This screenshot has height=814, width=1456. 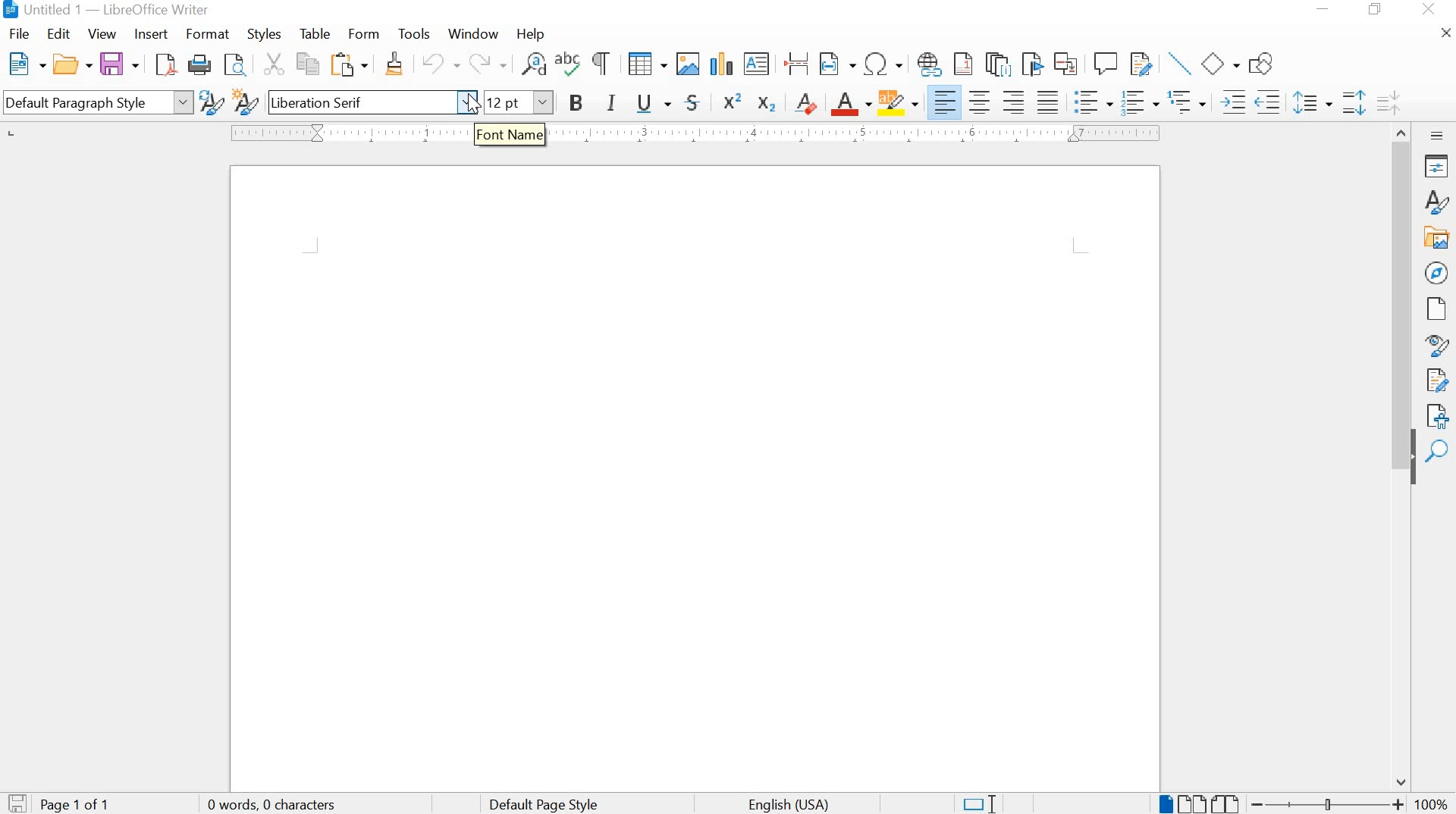 What do you see at coordinates (1179, 64) in the screenshot?
I see `INSERT LINE` at bounding box center [1179, 64].